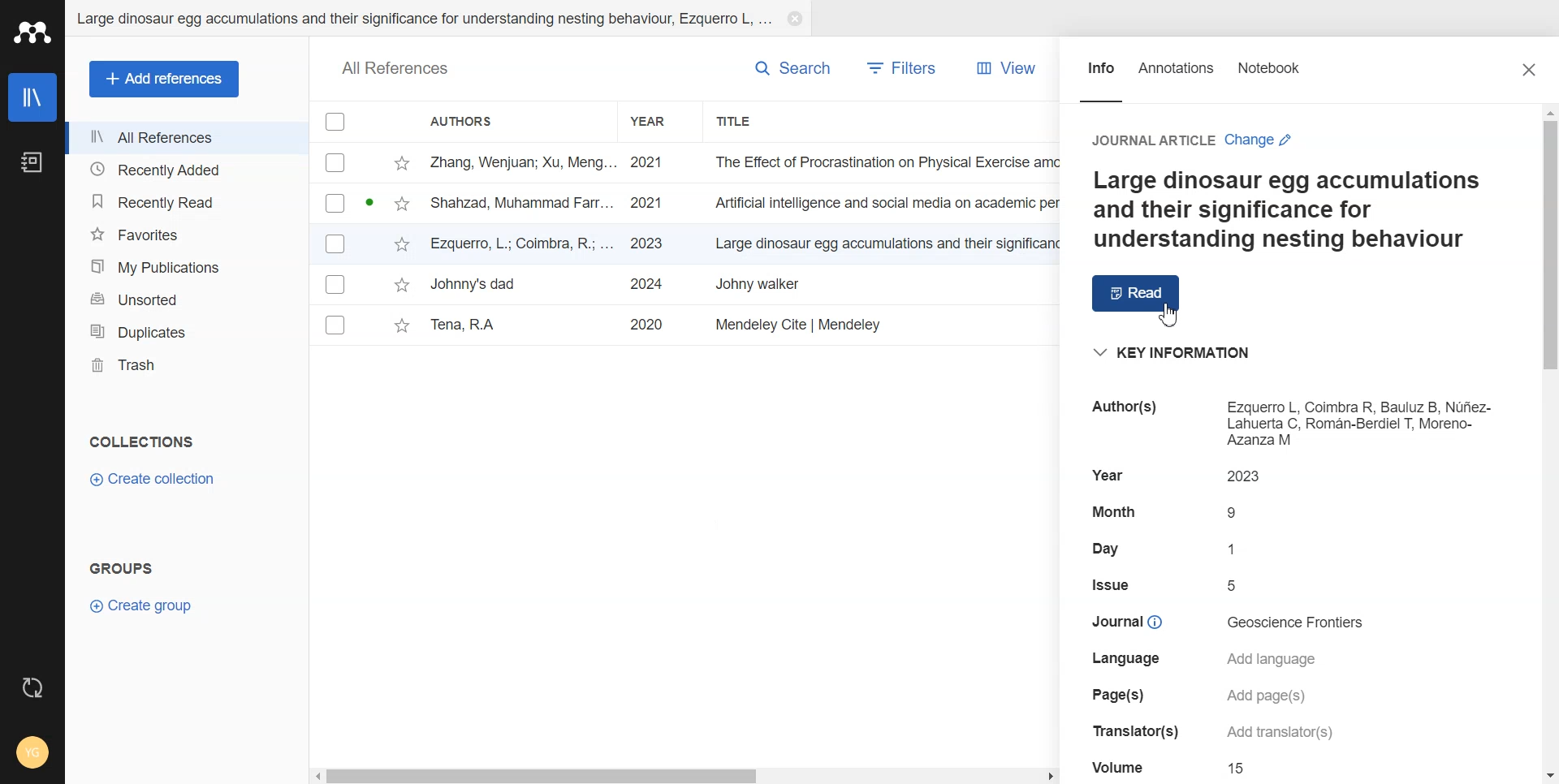  Describe the element at coordinates (165, 79) in the screenshot. I see `Add references` at that location.